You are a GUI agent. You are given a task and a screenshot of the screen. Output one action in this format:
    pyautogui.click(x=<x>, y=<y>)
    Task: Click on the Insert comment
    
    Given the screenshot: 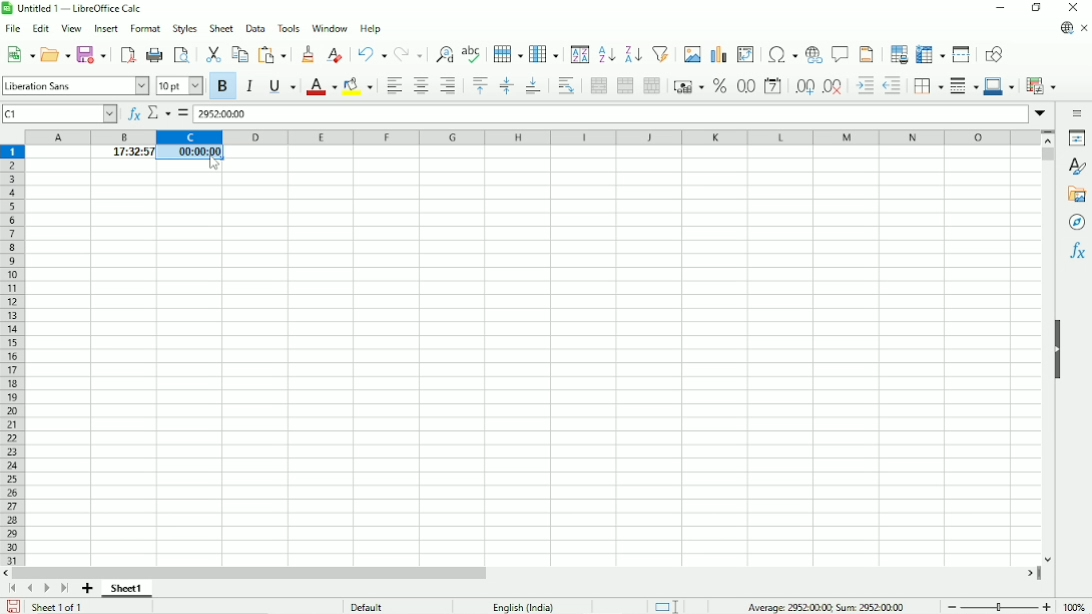 What is the action you would take?
    pyautogui.click(x=840, y=54)
    